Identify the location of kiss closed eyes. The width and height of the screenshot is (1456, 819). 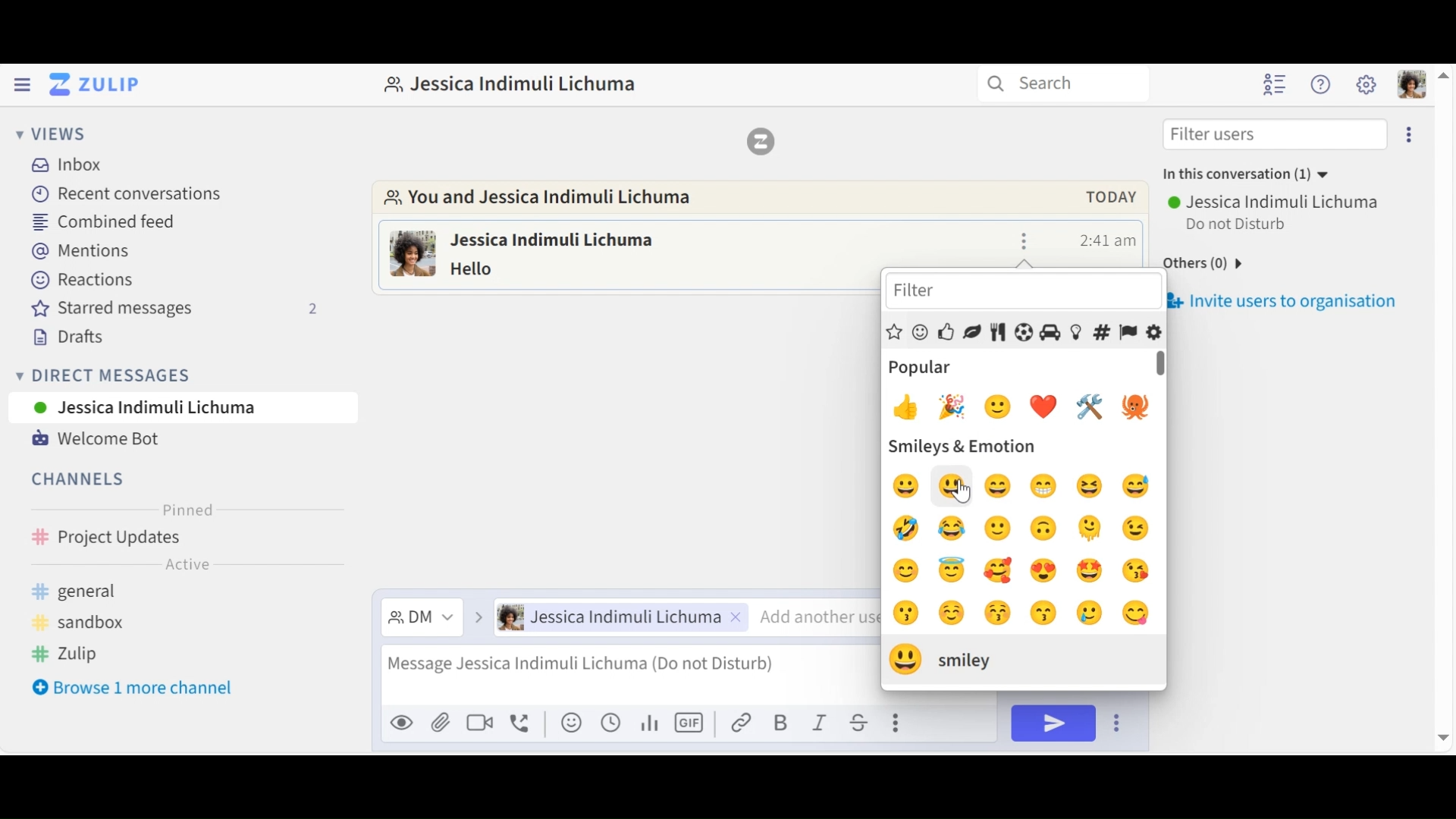
(994, 613).